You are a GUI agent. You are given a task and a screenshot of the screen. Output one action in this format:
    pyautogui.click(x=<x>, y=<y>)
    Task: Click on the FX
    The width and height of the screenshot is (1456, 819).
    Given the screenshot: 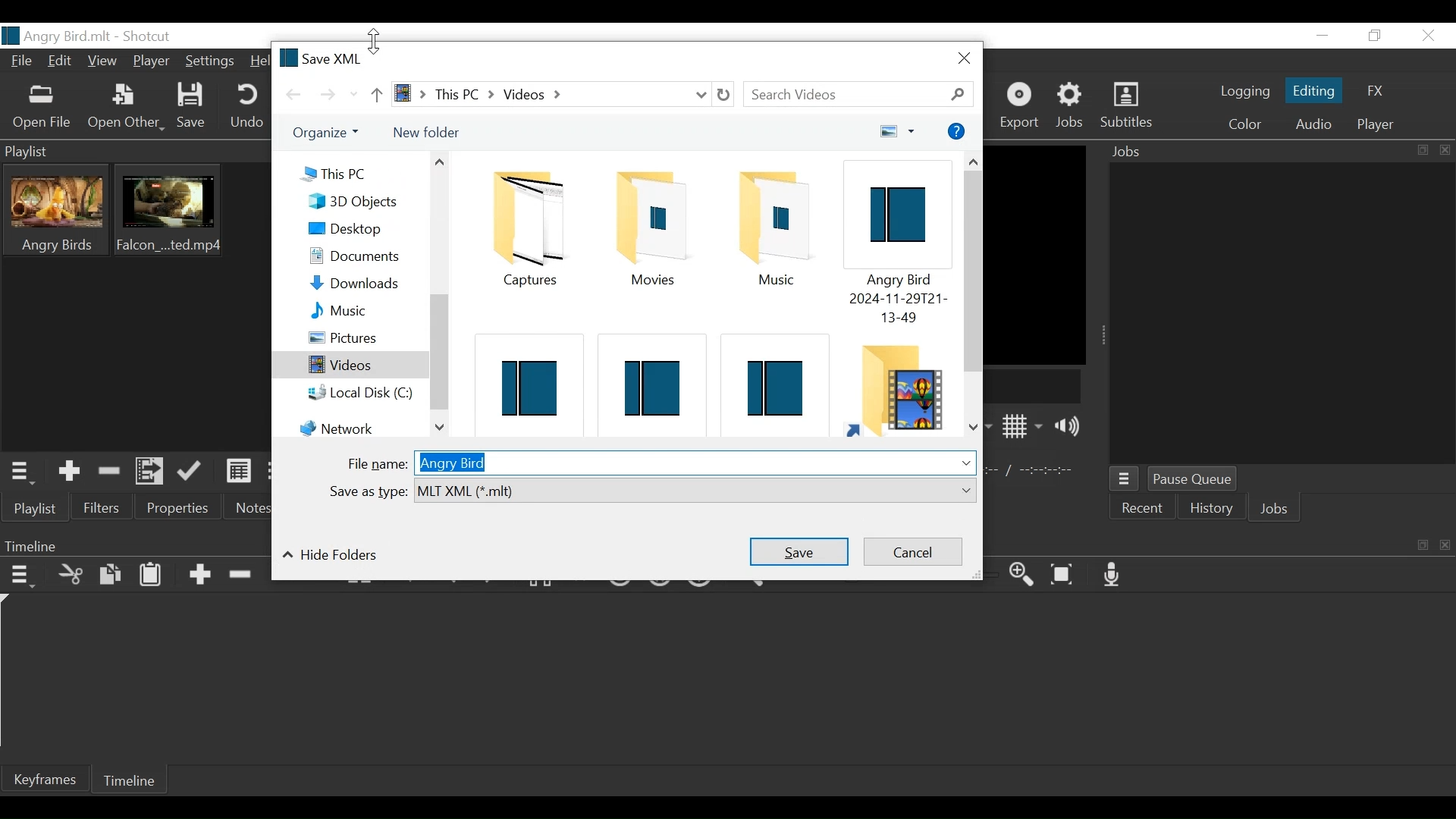 What is the action you would take?
    pyautogui.click(x=1376, y=89)
    